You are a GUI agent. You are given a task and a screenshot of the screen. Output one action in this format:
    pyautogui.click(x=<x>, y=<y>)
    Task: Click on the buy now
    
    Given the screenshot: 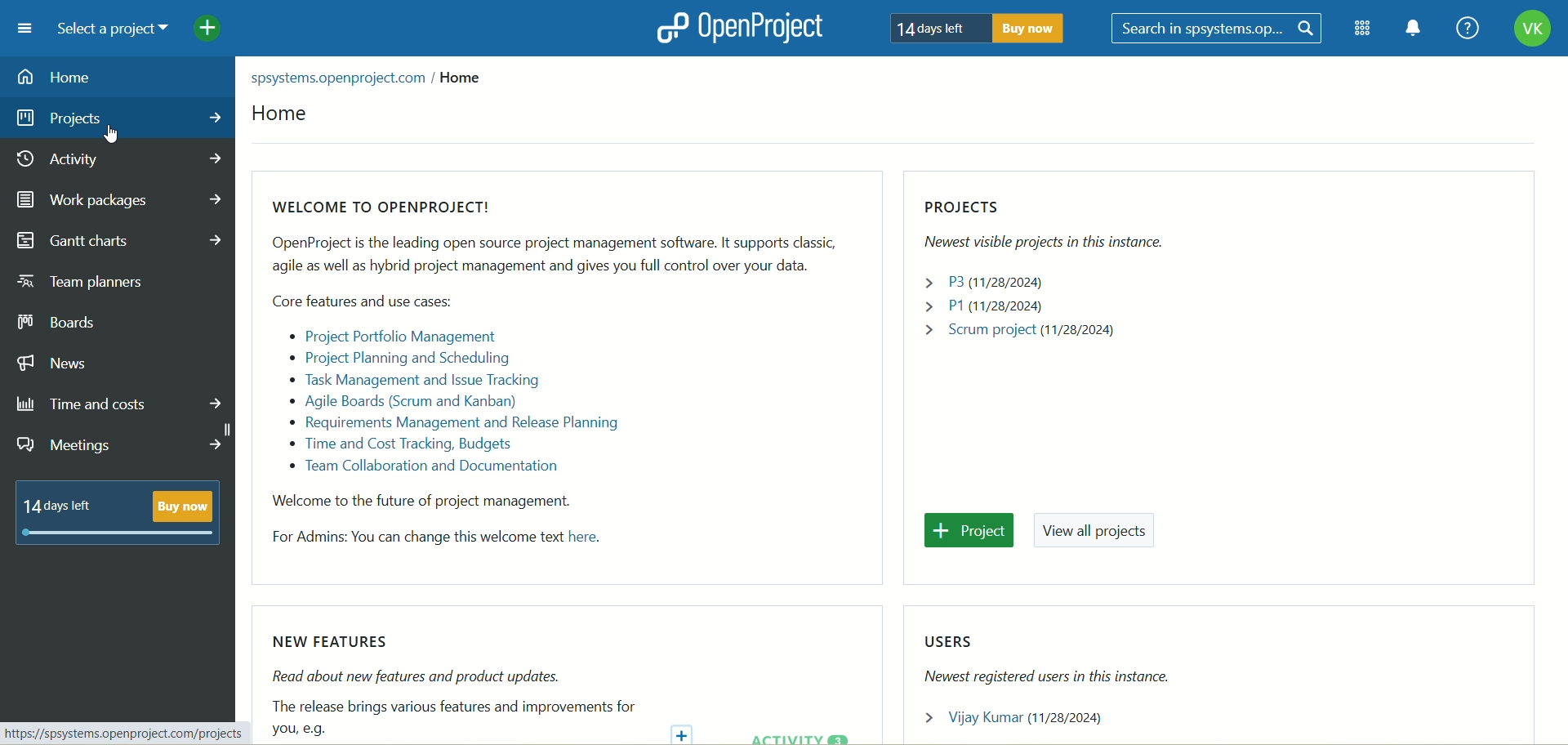 What is the action you would take?
    pyautogui.click(x=1035, y=31)
    